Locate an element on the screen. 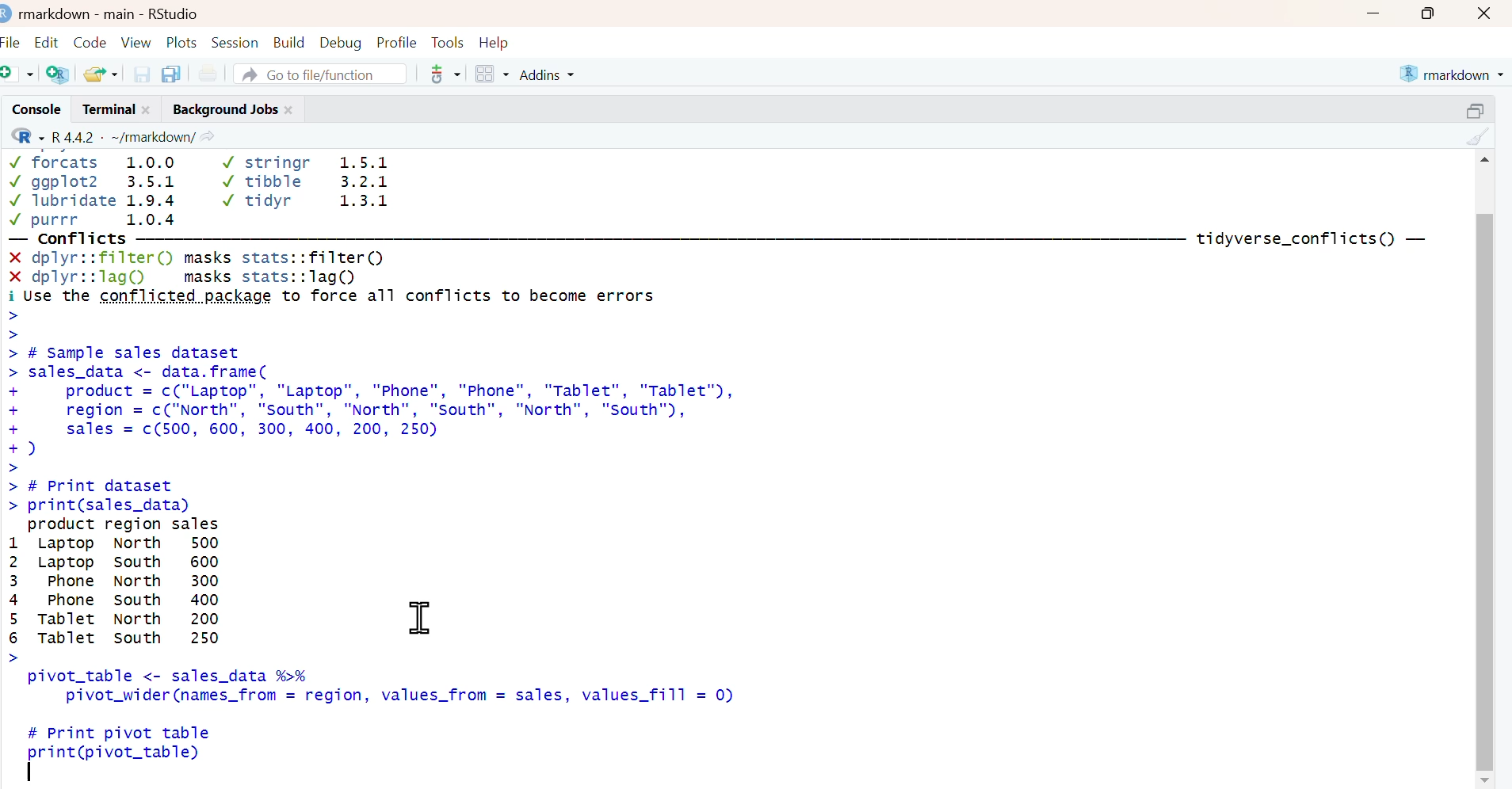  Build is located at coordinates (290, 39).